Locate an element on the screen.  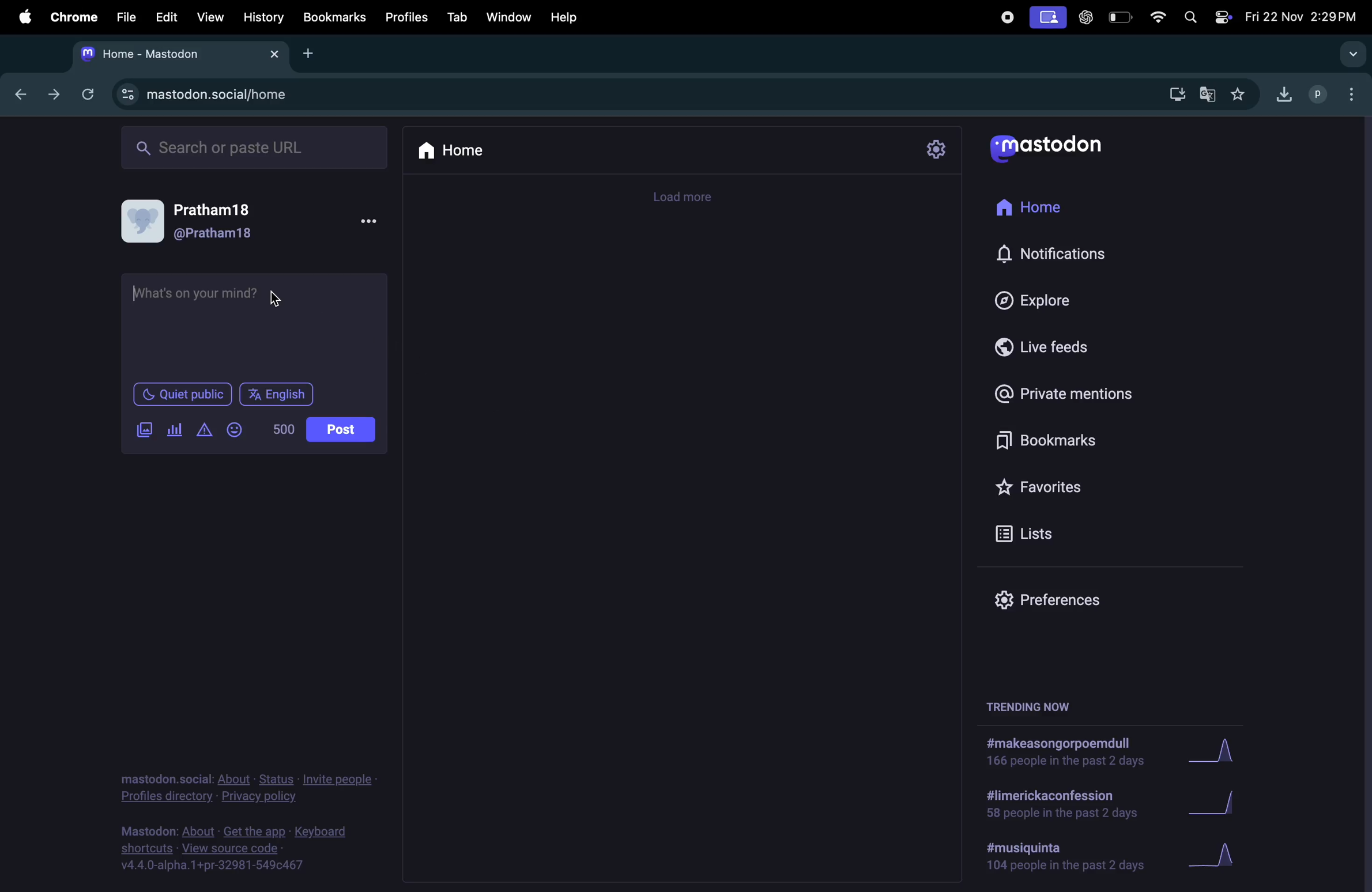
add warning is located at coordinates (202, 429).